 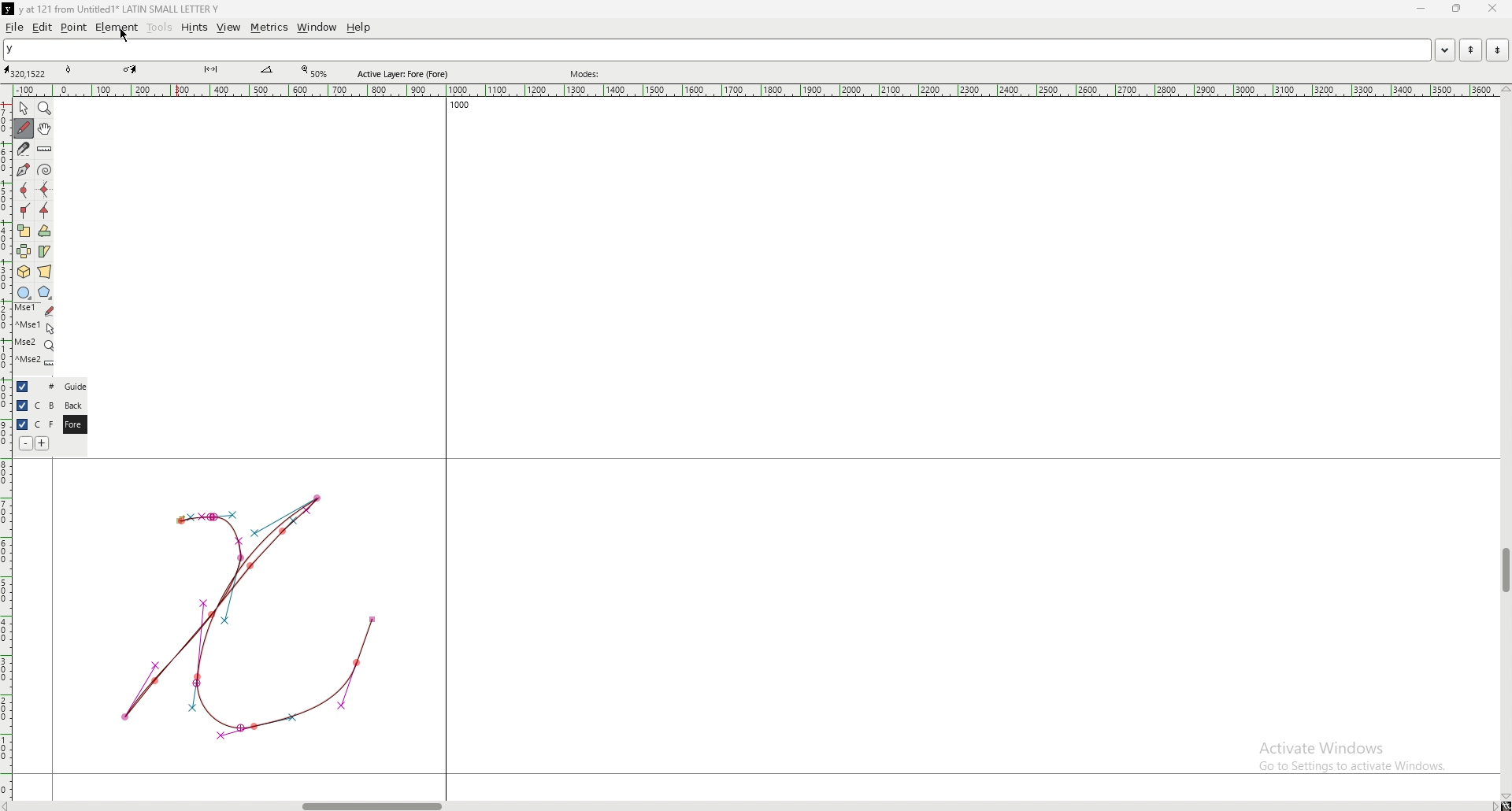 What do you see at coordinates (22, 168) in the screenshot?
I see `add a point, then drag out its control points` at bounding box center [22, 168].